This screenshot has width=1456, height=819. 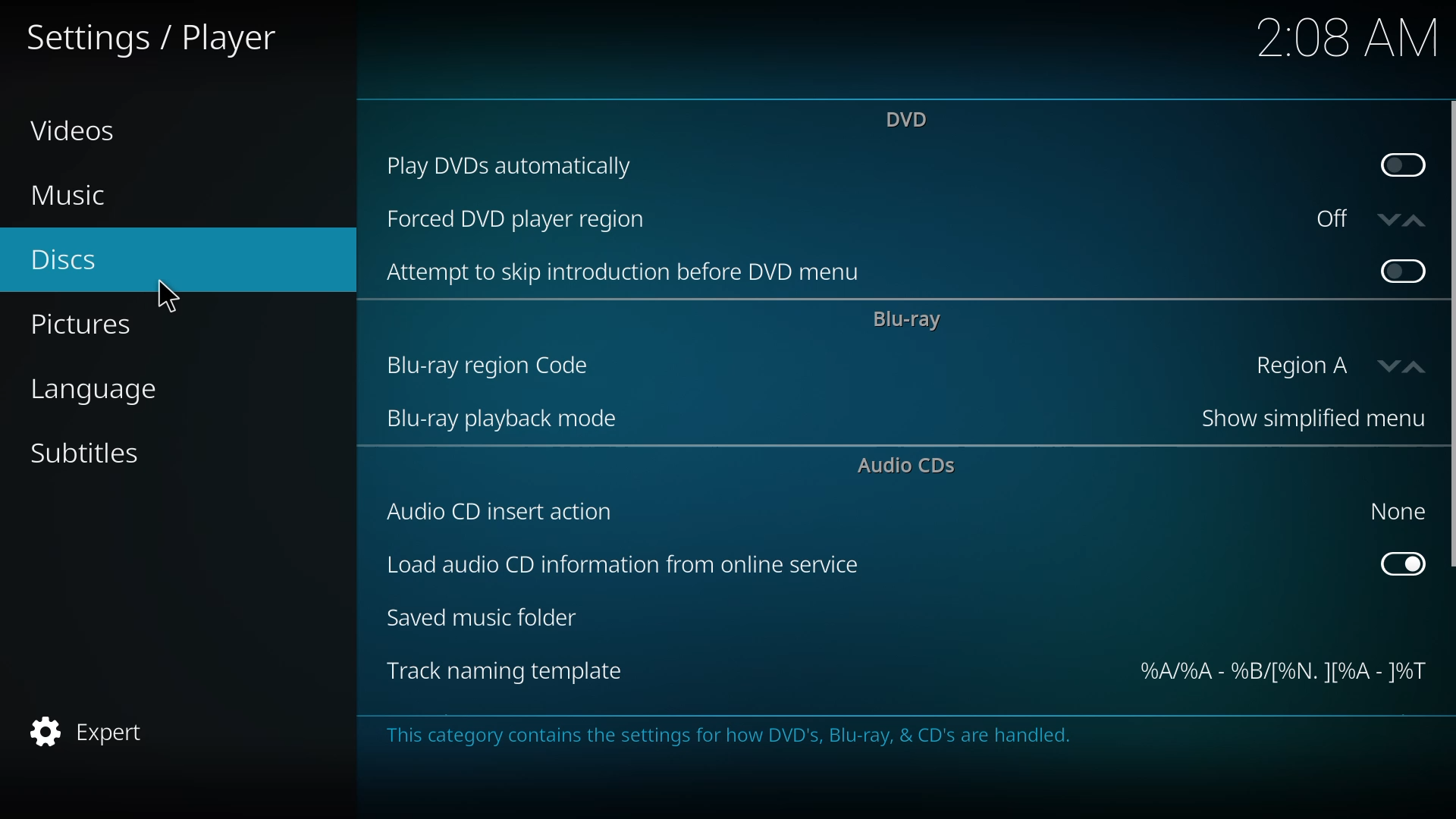 I want to click on attempt to skip intro before dvd menu, so click(x=631, y=273).